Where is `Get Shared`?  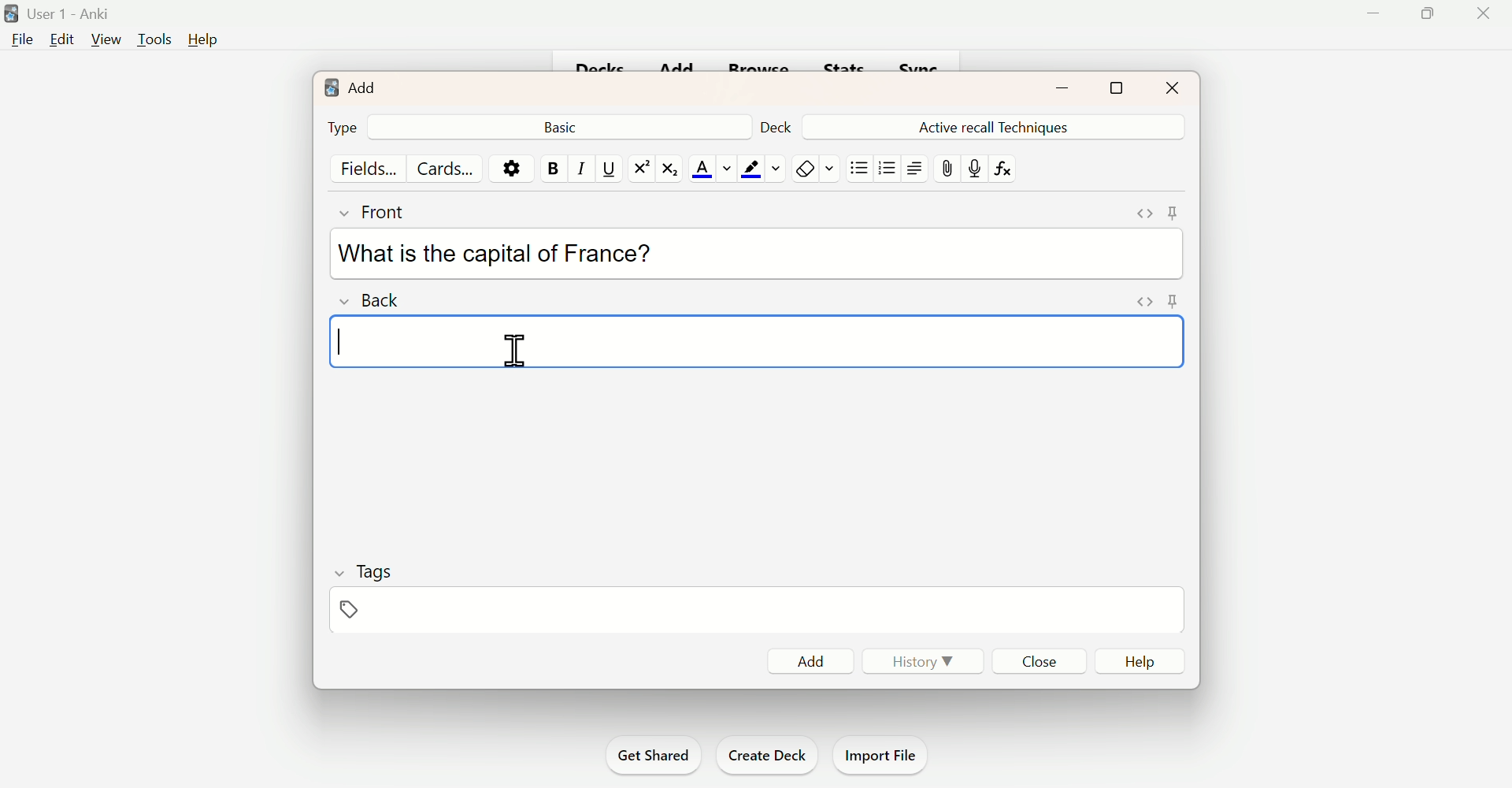 Get Shared is located at coordinates (648, 754).